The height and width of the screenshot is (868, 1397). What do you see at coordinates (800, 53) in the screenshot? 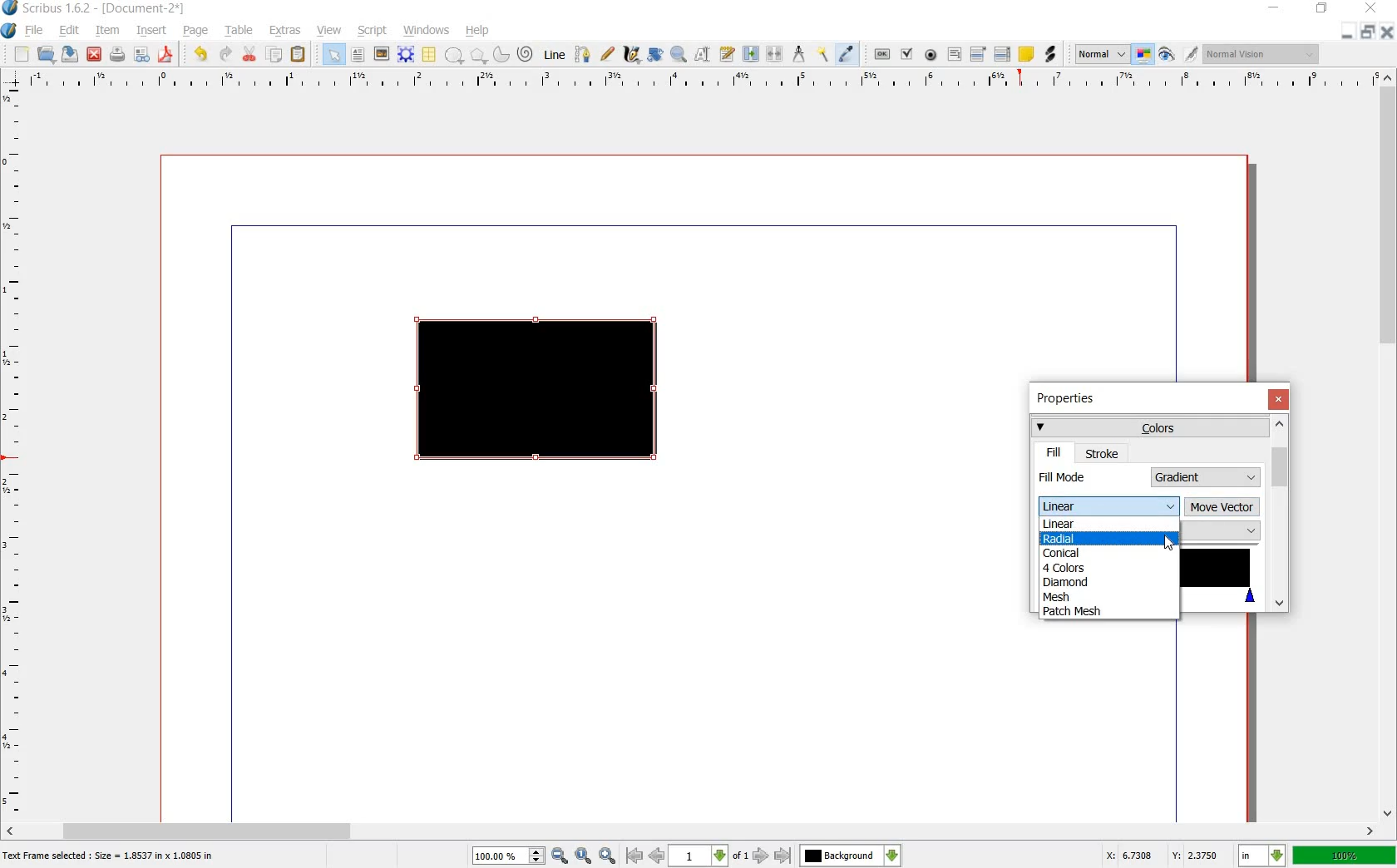
I see `measurement` at bounding box center [800, 53].